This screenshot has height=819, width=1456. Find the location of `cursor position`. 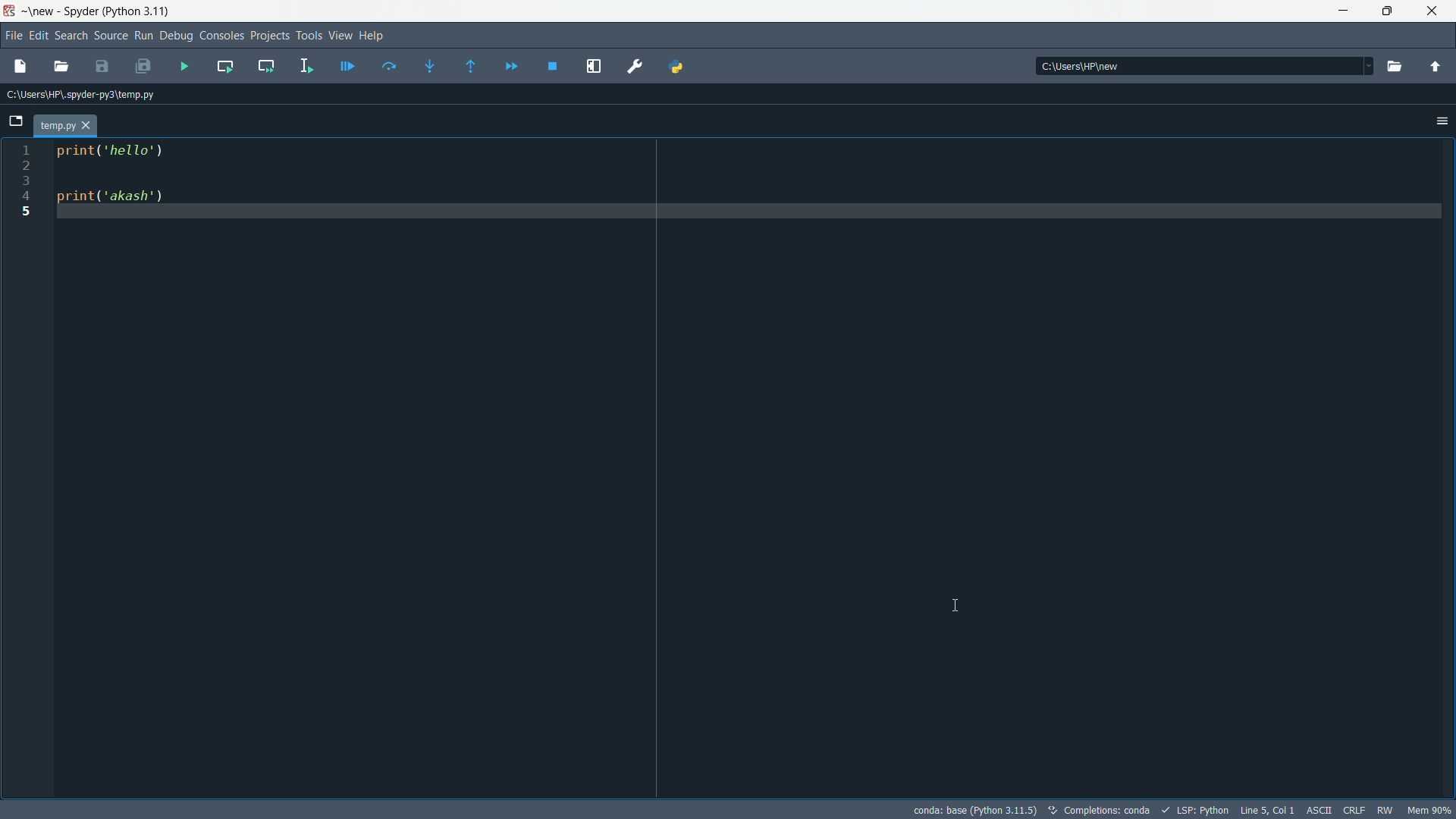

cursor position is located at coordinates (1267, 810).